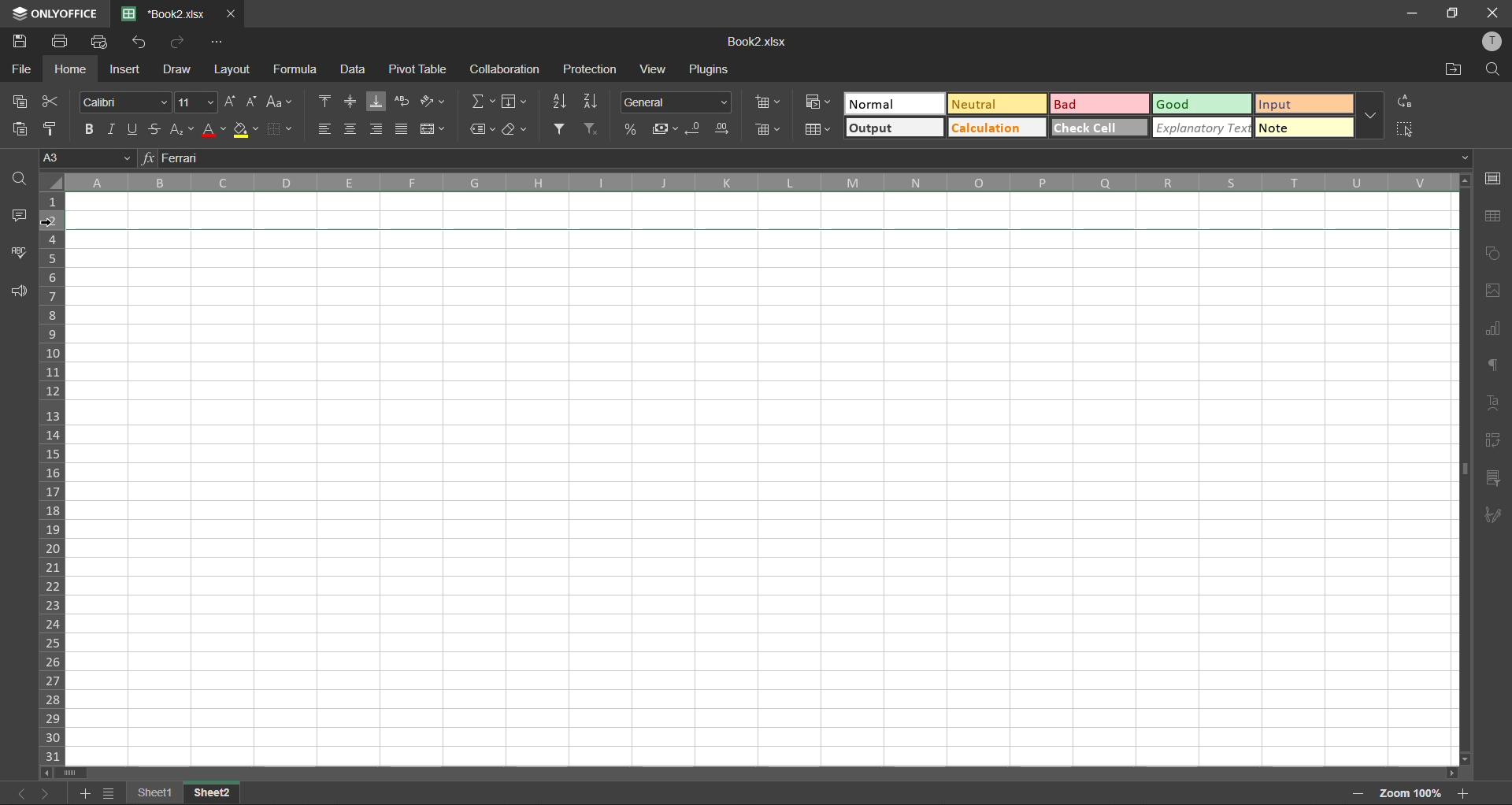  I want to click on sort ascending, so click(562, 102).